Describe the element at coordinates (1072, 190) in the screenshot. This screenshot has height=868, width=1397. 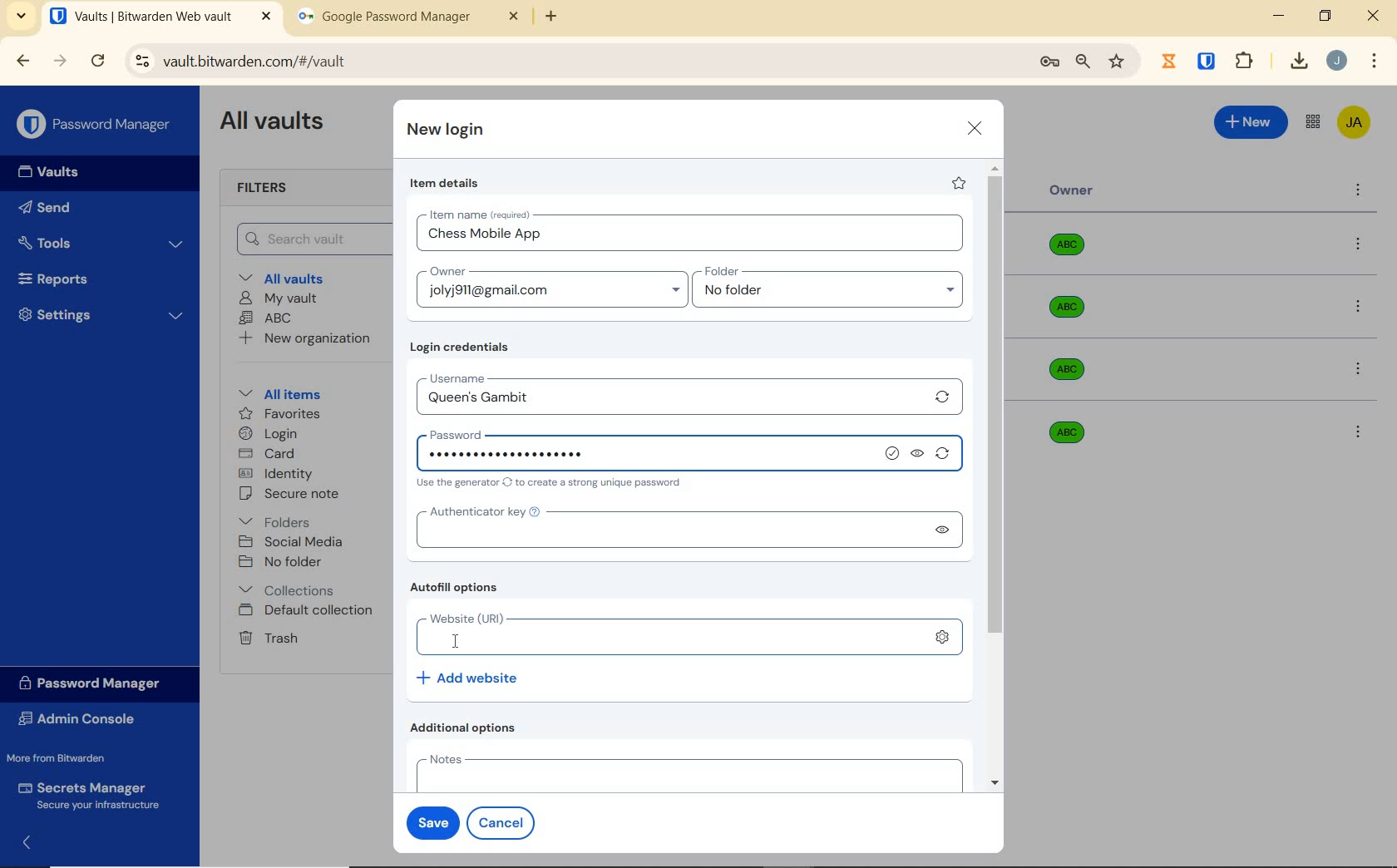
I see `Owner` at that location.